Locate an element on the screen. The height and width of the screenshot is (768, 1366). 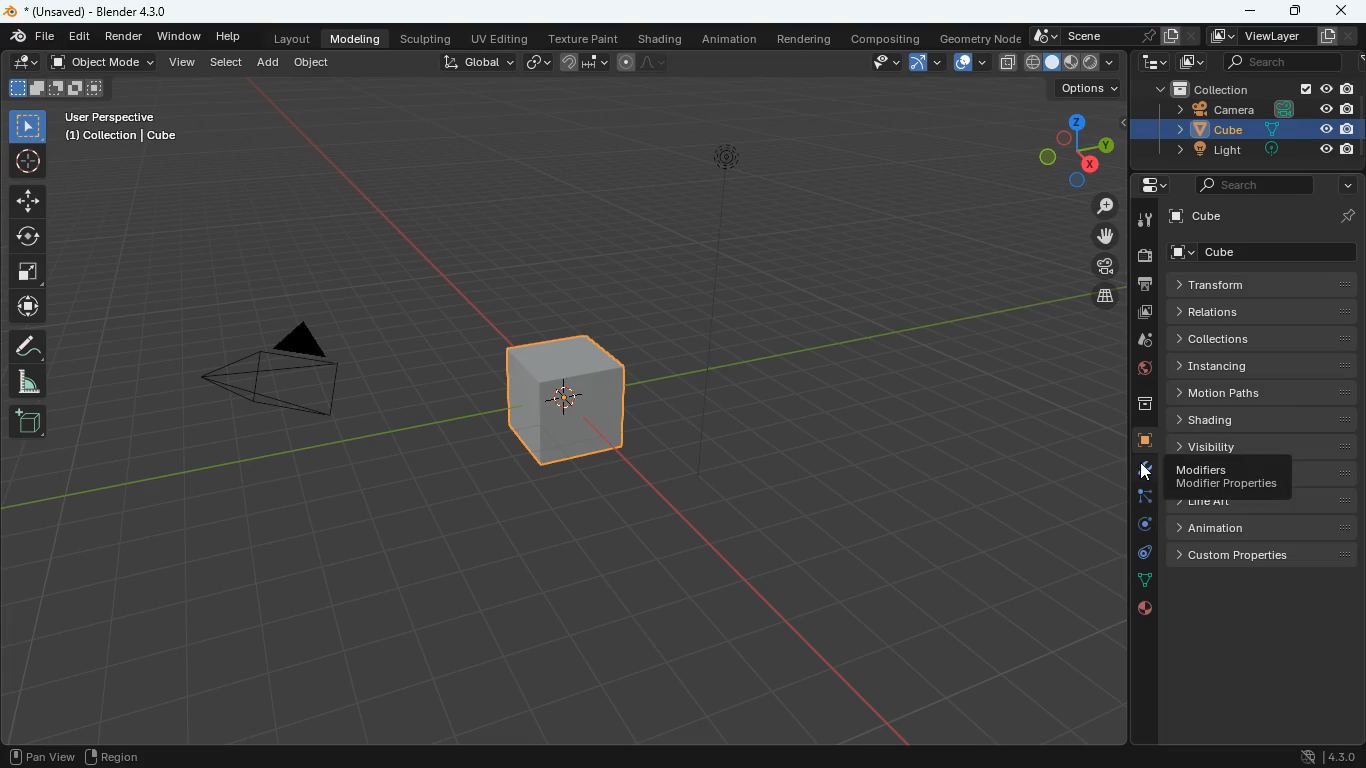
public is located at coordinates (1146, 610).